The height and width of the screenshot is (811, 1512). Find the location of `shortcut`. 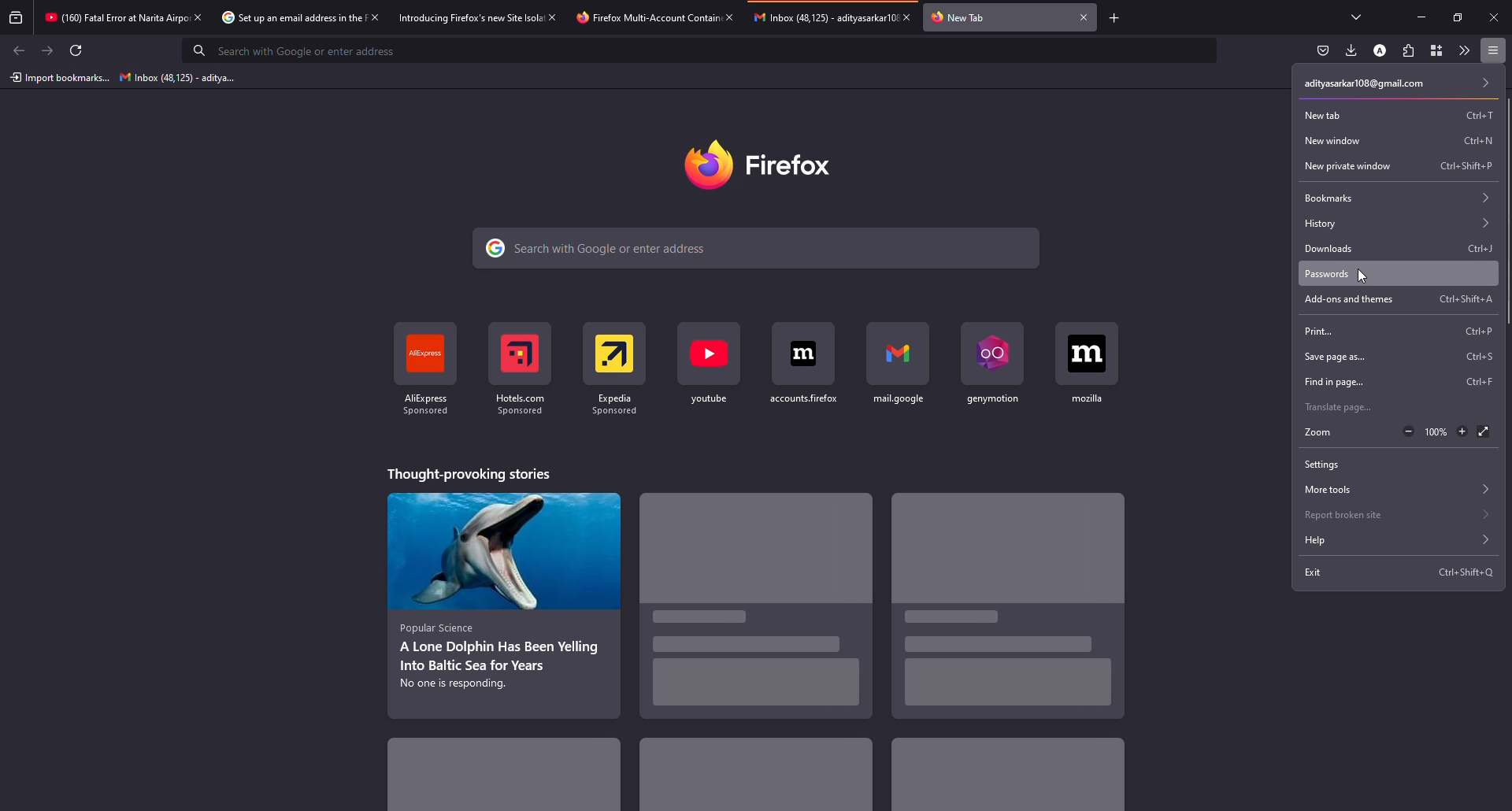

shortcut is located at coordinates (899, 366).